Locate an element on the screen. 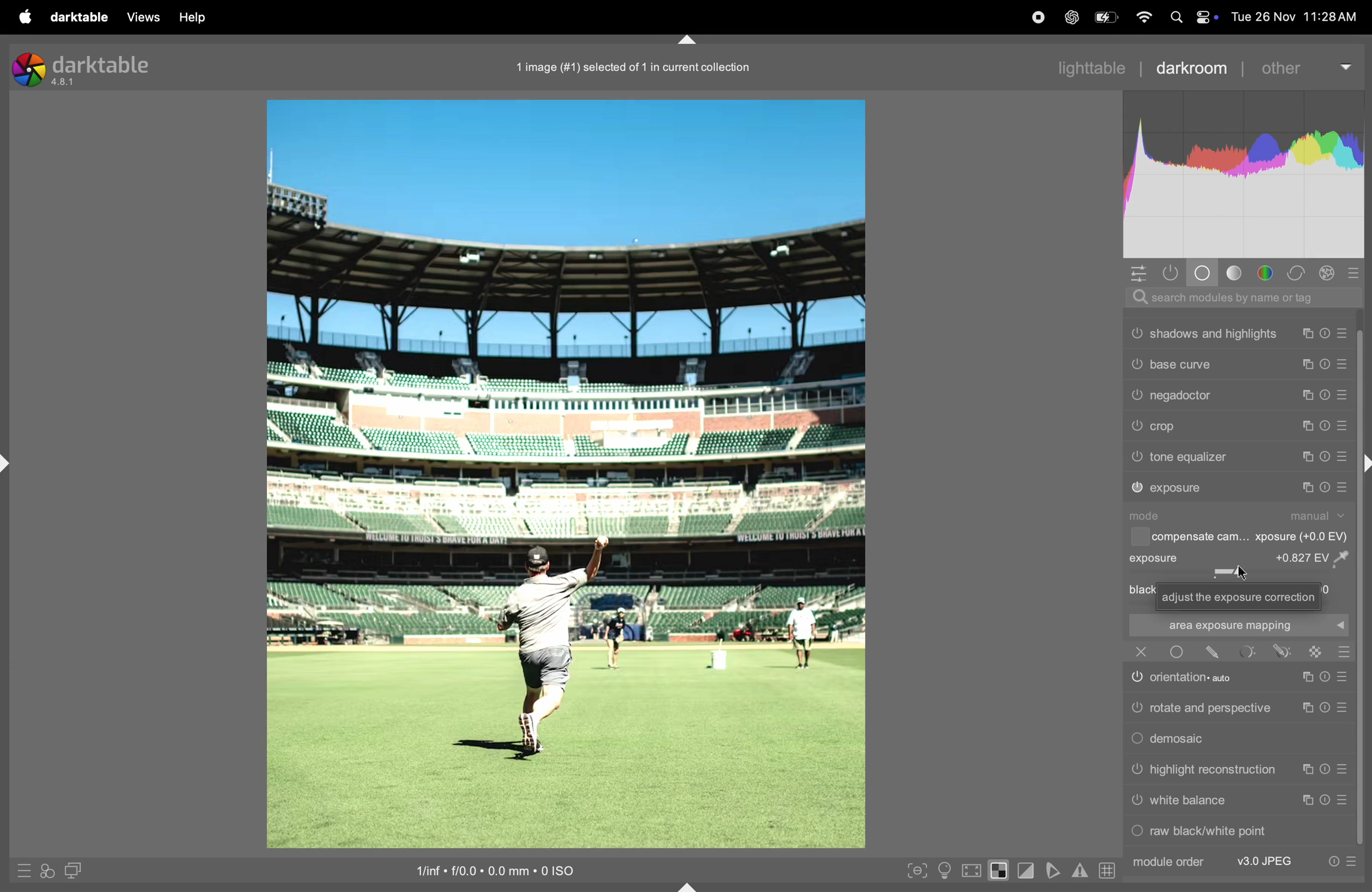 This screenshot has height=892, width=1372. raw balck and white point is located at coordinates (1211, 830).